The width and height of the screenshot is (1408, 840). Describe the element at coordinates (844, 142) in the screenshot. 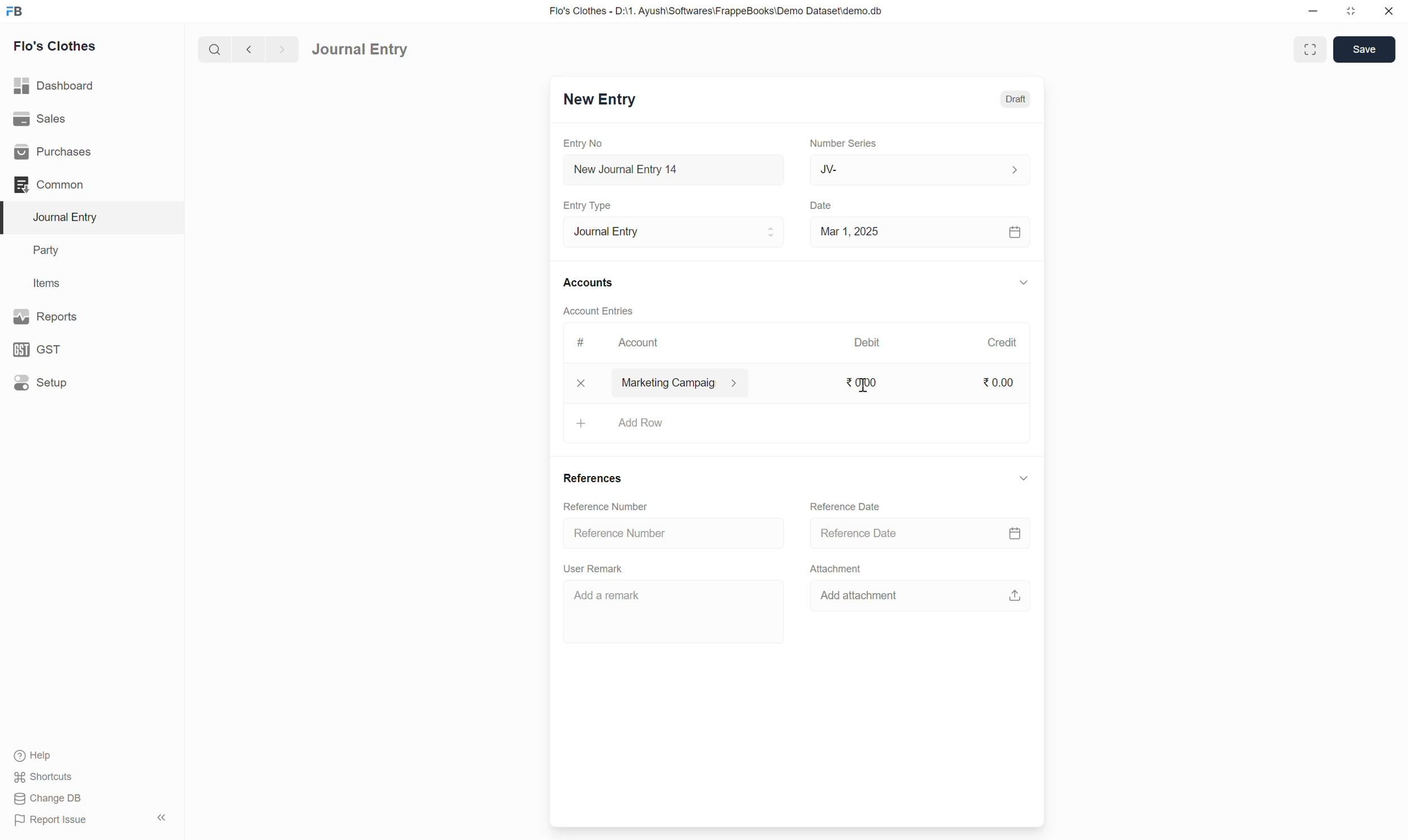

I see `Number Series` at that location.